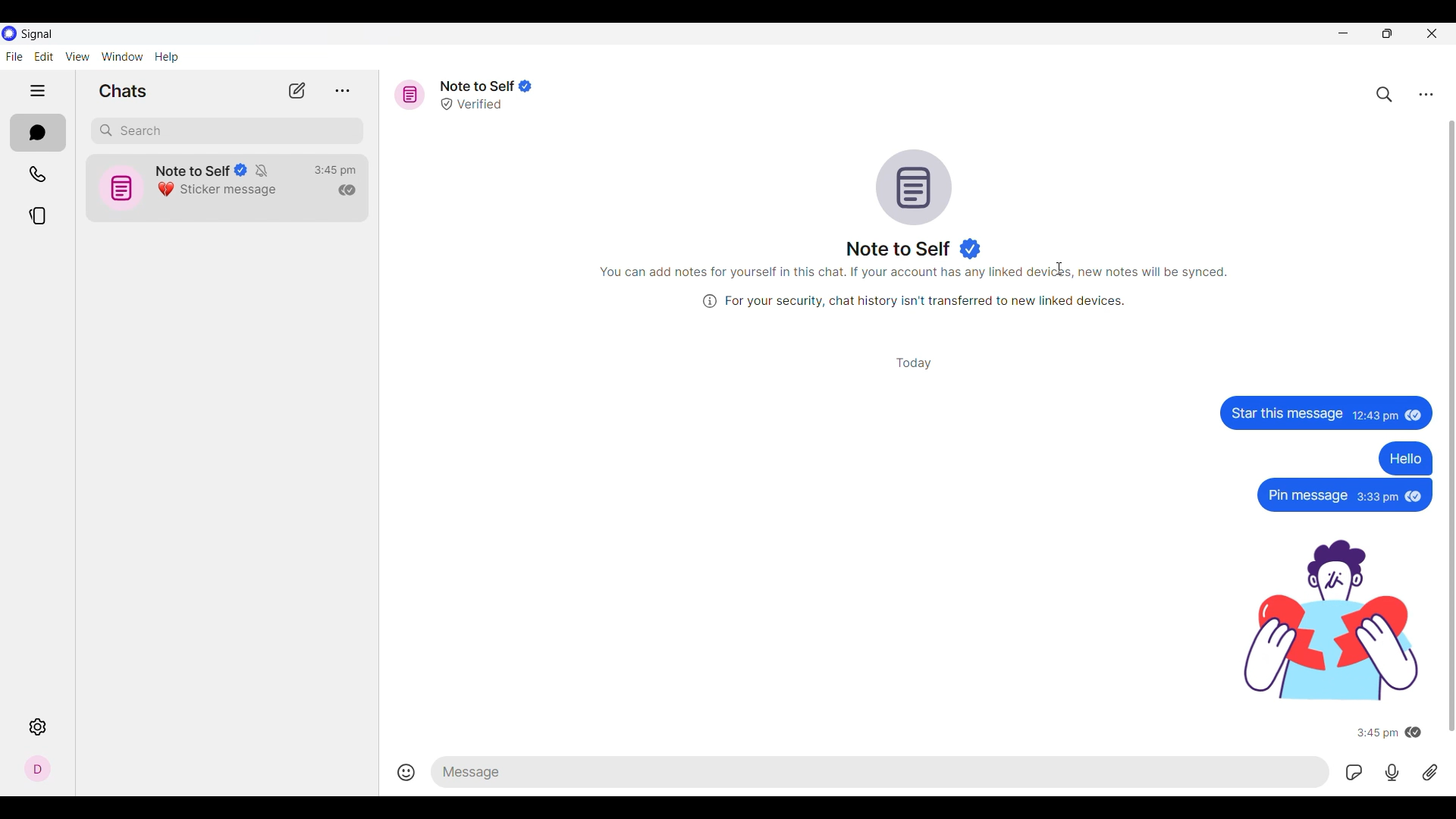 The image size is (1456, 819). Describe the element at coordinates (37, 726) in the screenshot. I see `Settings` at that location.